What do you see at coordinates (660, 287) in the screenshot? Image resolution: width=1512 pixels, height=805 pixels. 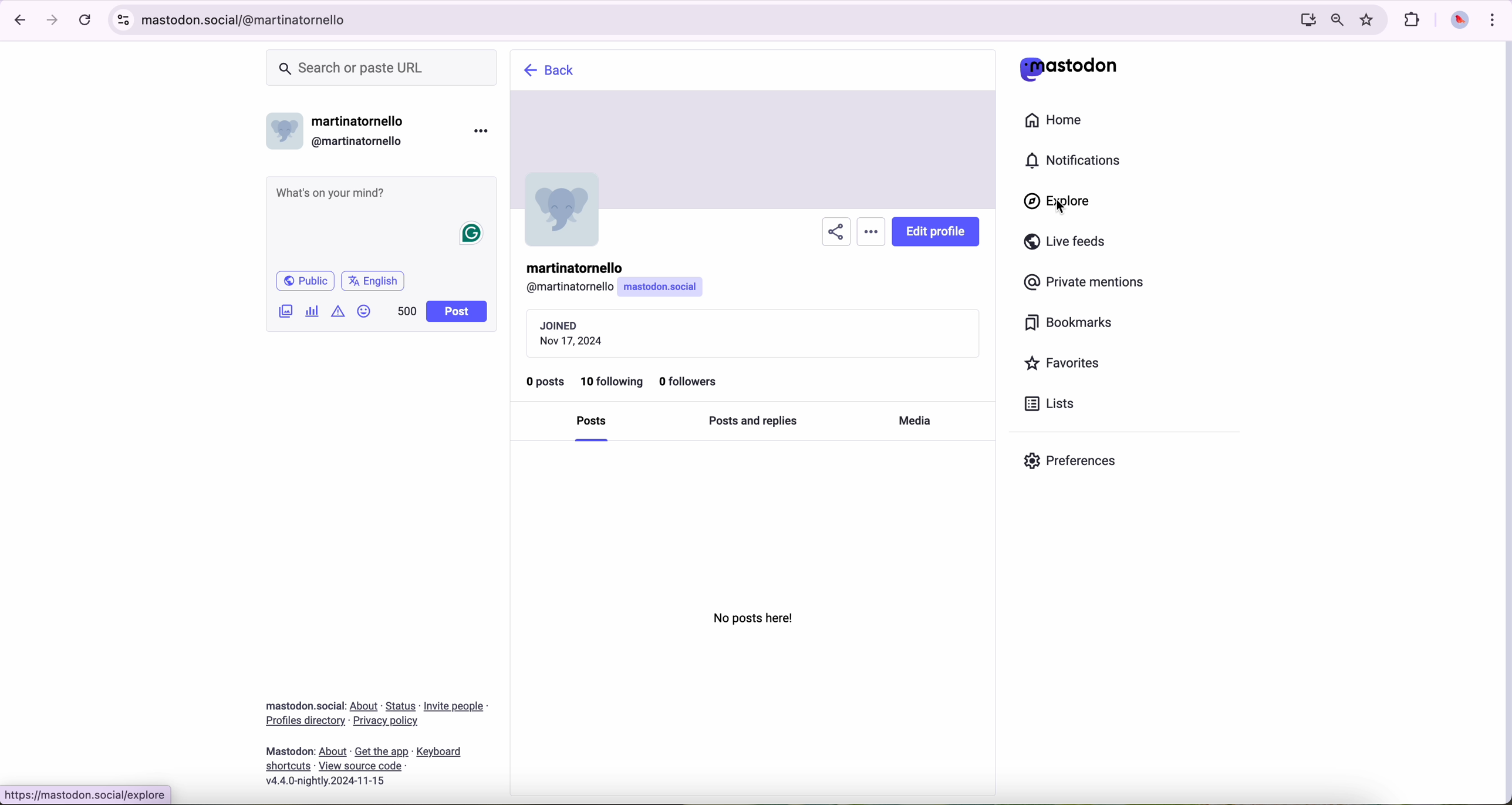 I see `info` at bounding box center [660, 287].